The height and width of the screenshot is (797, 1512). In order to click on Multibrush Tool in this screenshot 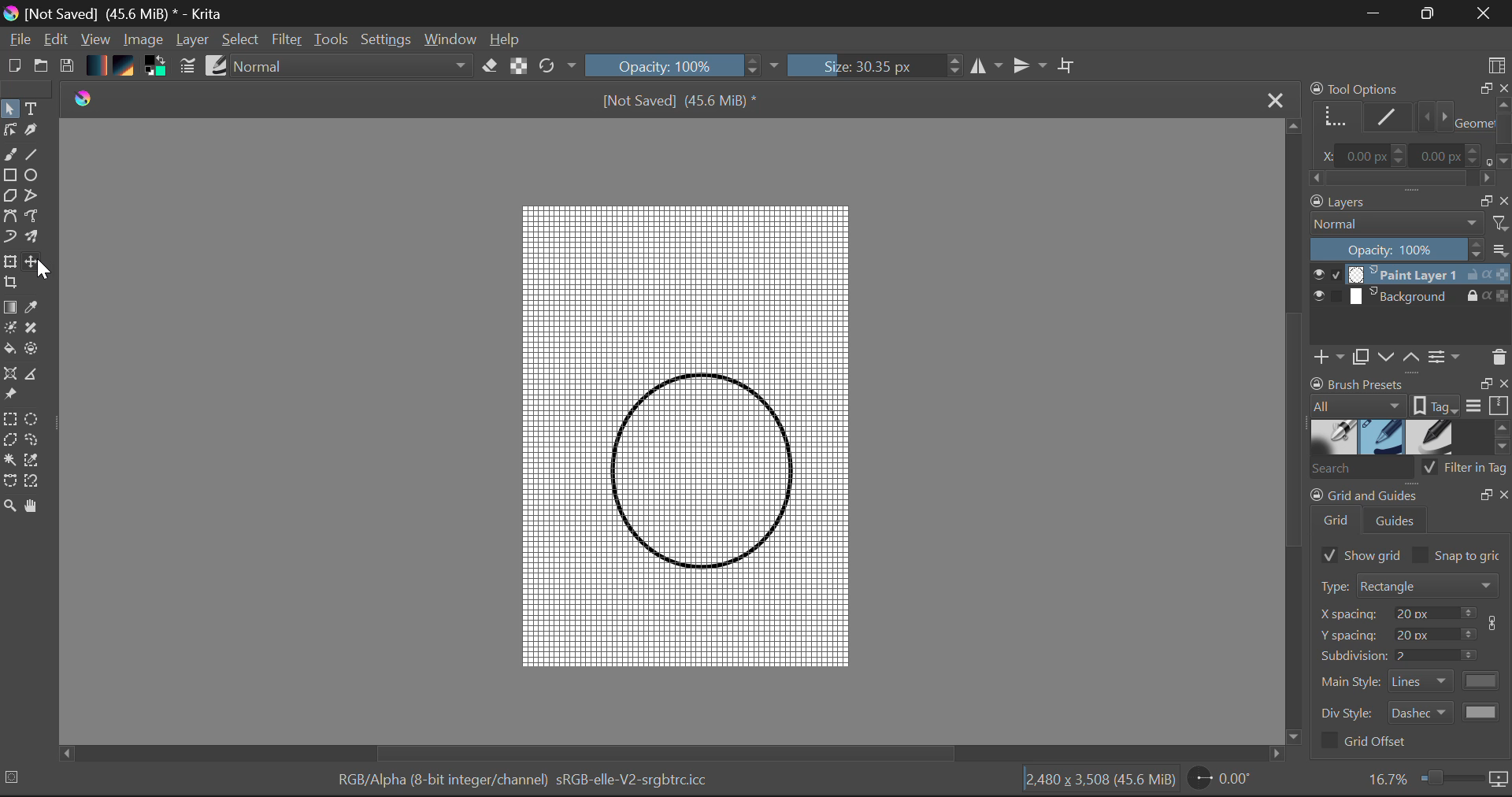, I will do `click(38, 240)`.